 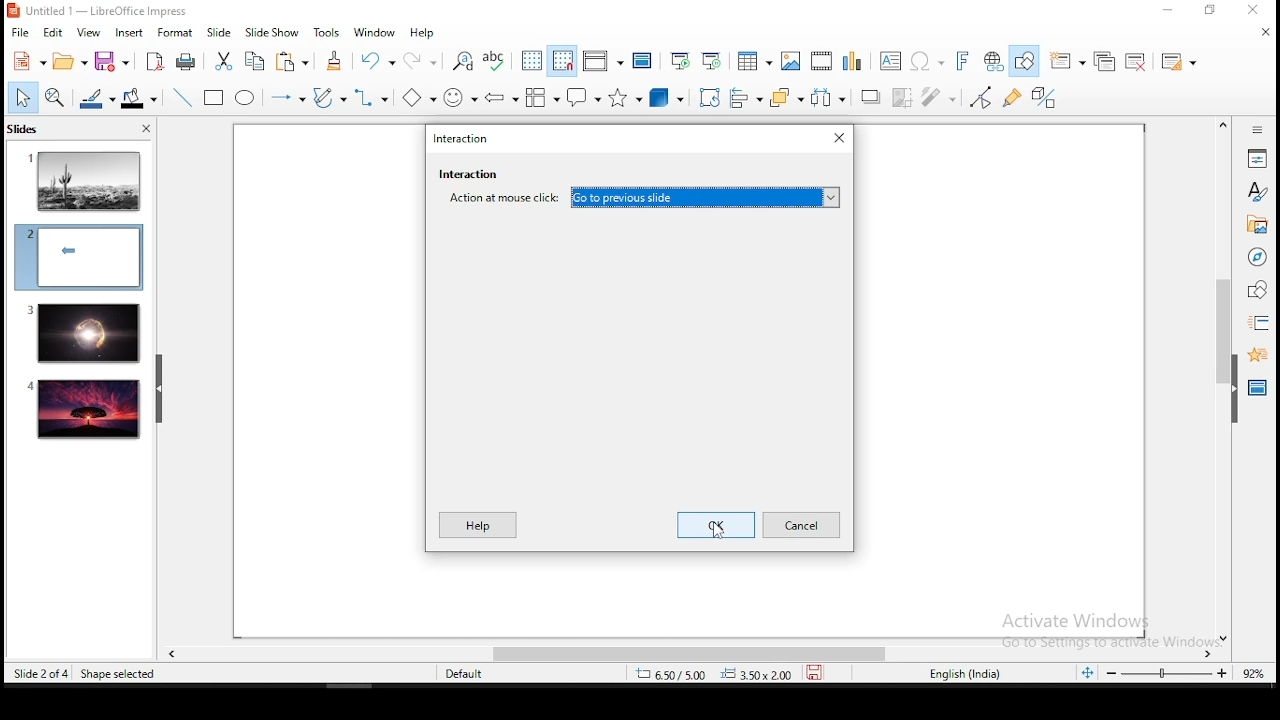 I want to click on display views, so click(x=602, y=61).